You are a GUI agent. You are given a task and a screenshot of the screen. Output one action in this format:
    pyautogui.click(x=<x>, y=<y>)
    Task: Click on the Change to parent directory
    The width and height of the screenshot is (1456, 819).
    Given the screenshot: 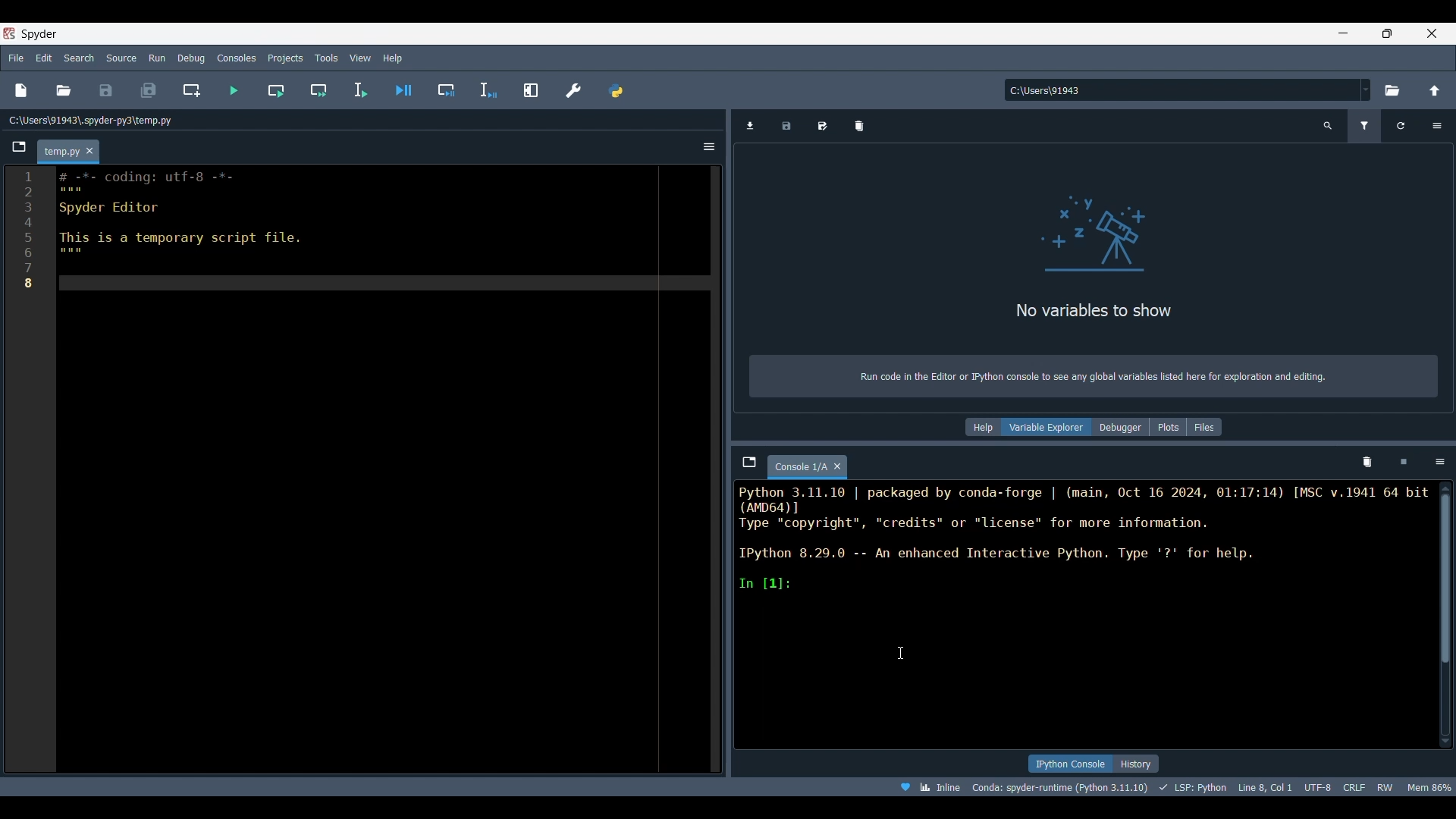 What is the action you would take?
    pyautogui.click(x=1435, y=90)
    